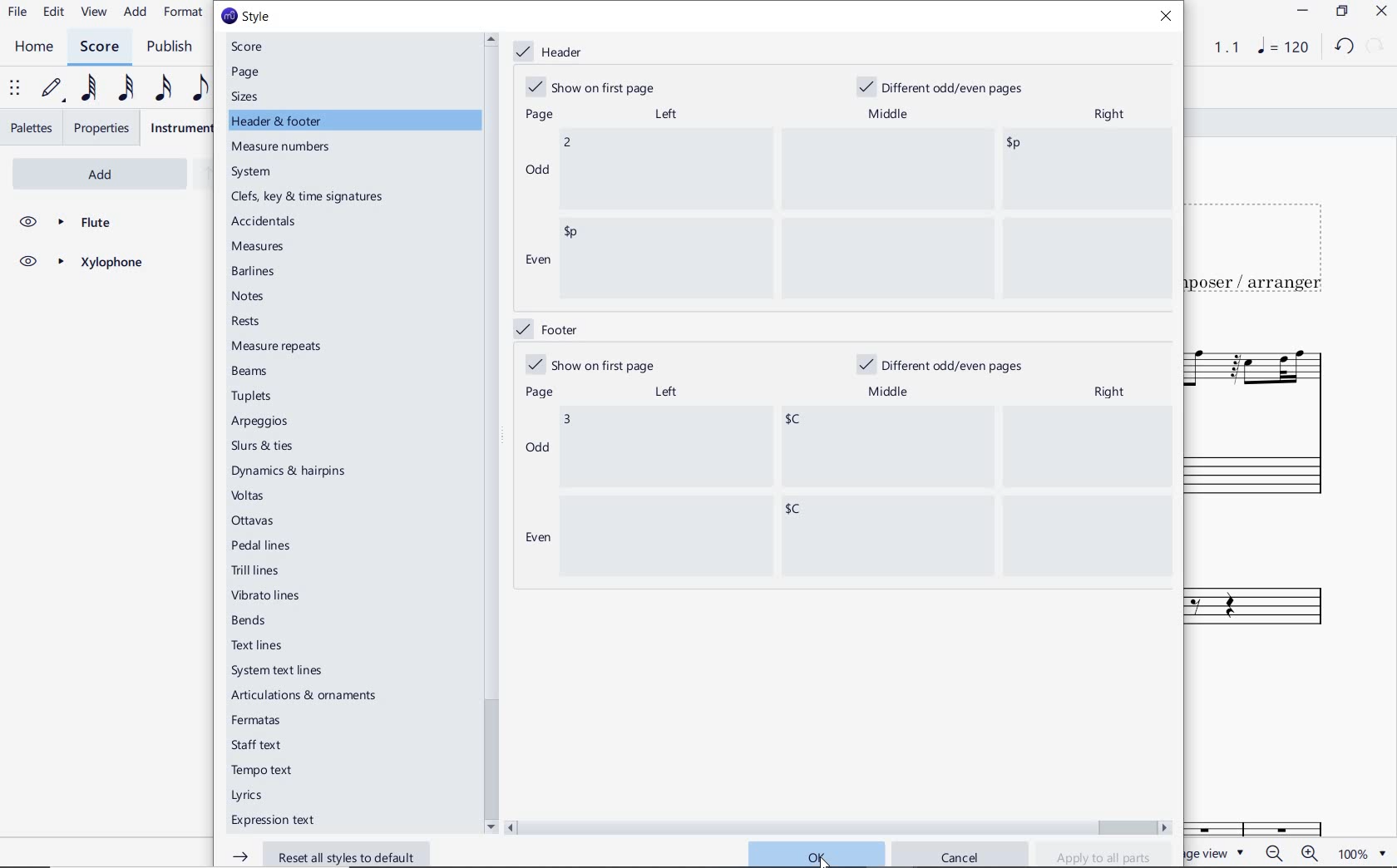 This screenshot has width=1397, height=868. What do you see at coordinates (332, 854) in the screenshot?
I see `reset all styles to default` at bounding box center [332, 854].